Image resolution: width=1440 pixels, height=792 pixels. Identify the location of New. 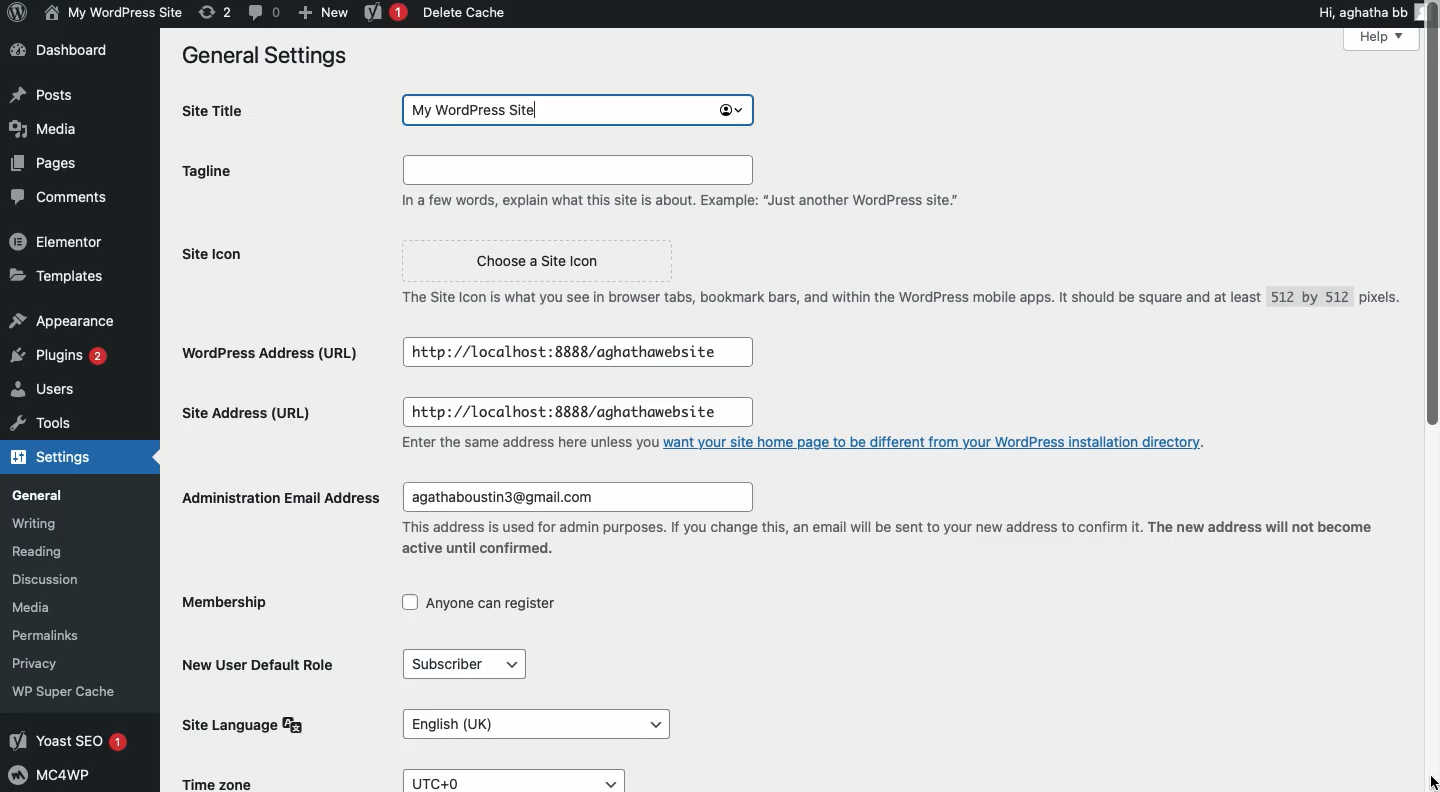
(325, 12).